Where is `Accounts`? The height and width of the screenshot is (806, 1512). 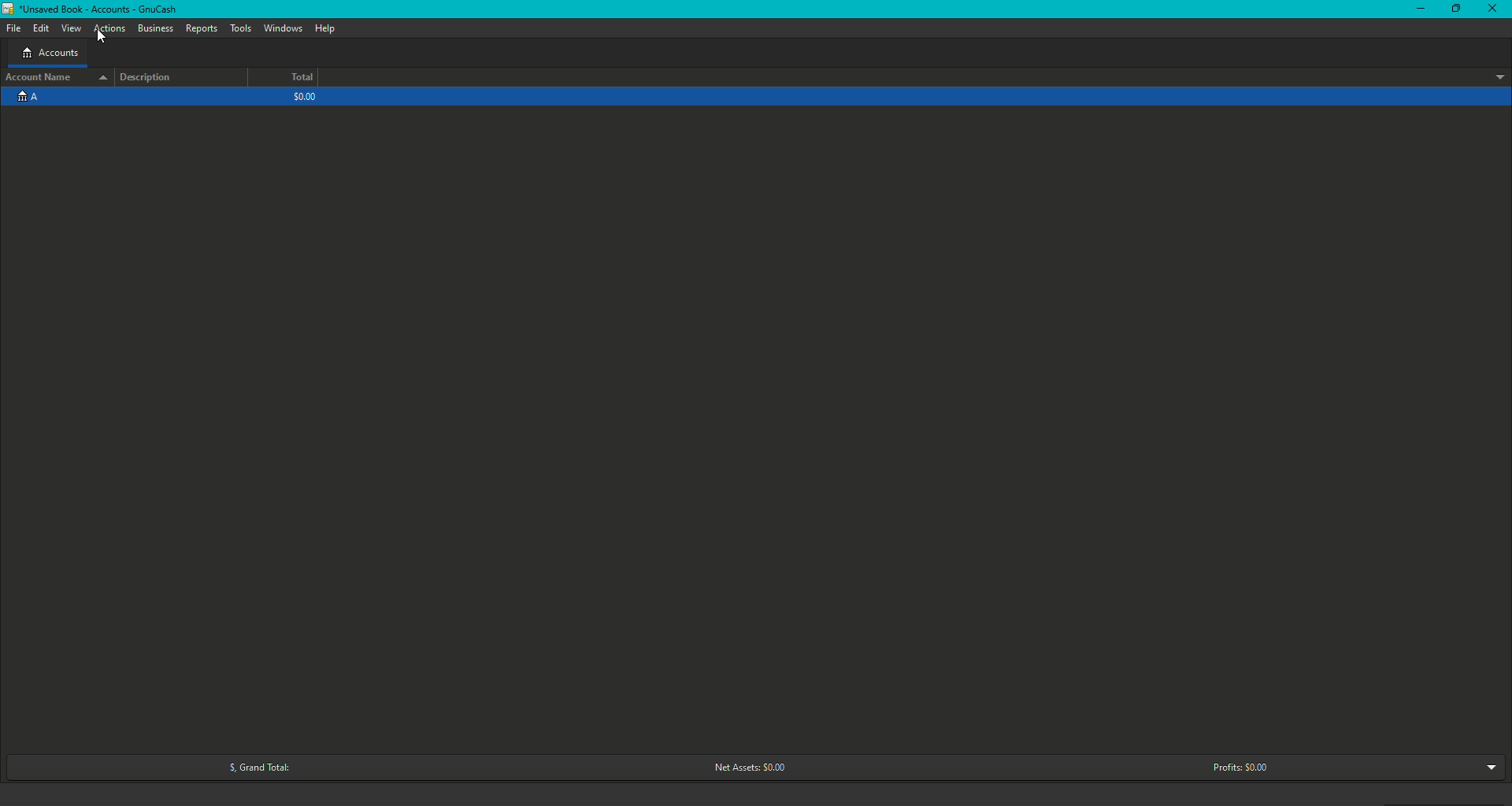 Accounts is located at coordinates (52, 54).